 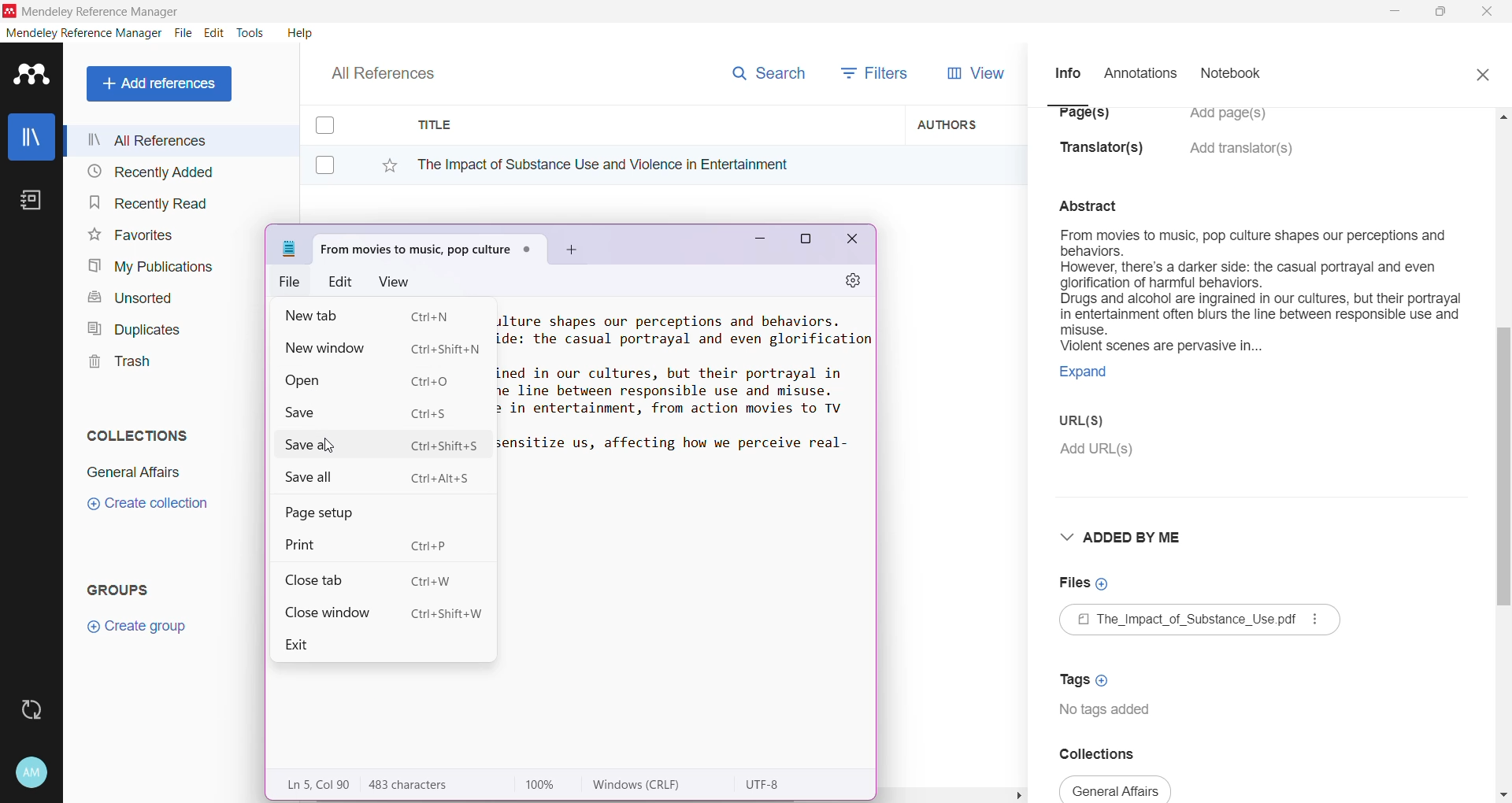 What do you see at coordinates (380, 379) in the screenshot?
I see `Open` at bounding box center [380, 379].